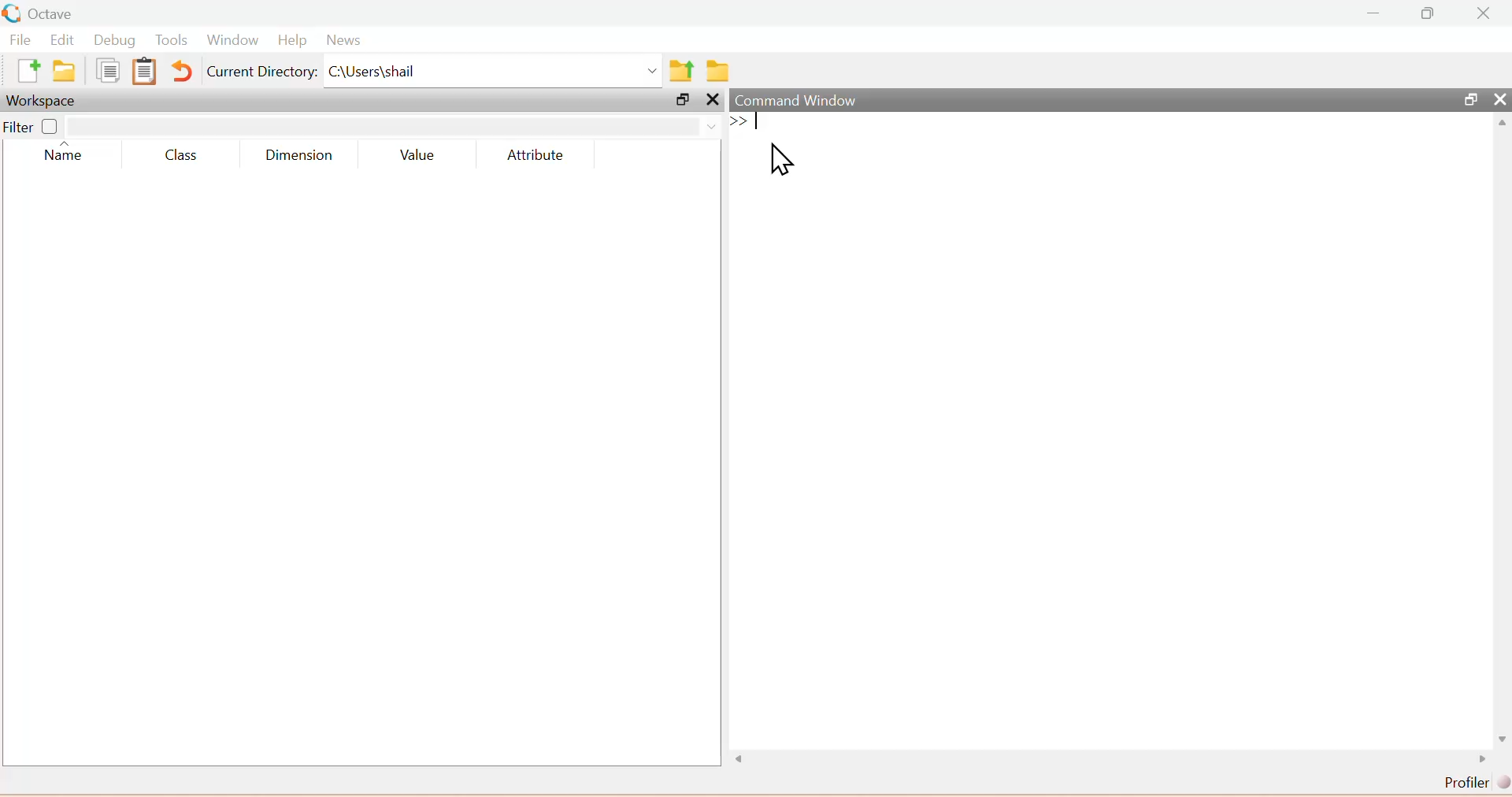  What do you see at coordinates (1498, 737) in the screenshot?
I see `scroll down` at bounding box center [1498, 737].